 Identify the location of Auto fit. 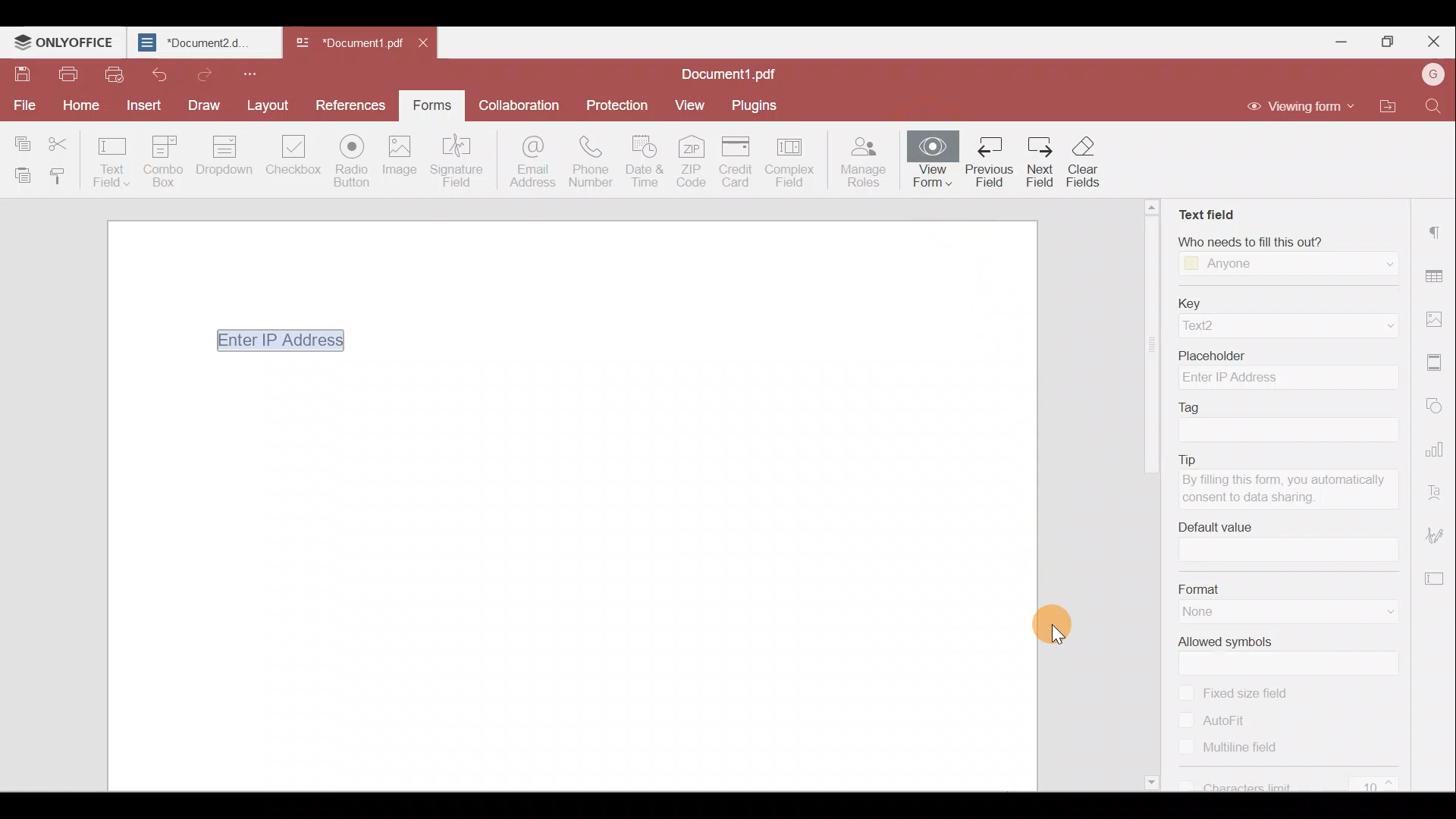
(1235, 719).